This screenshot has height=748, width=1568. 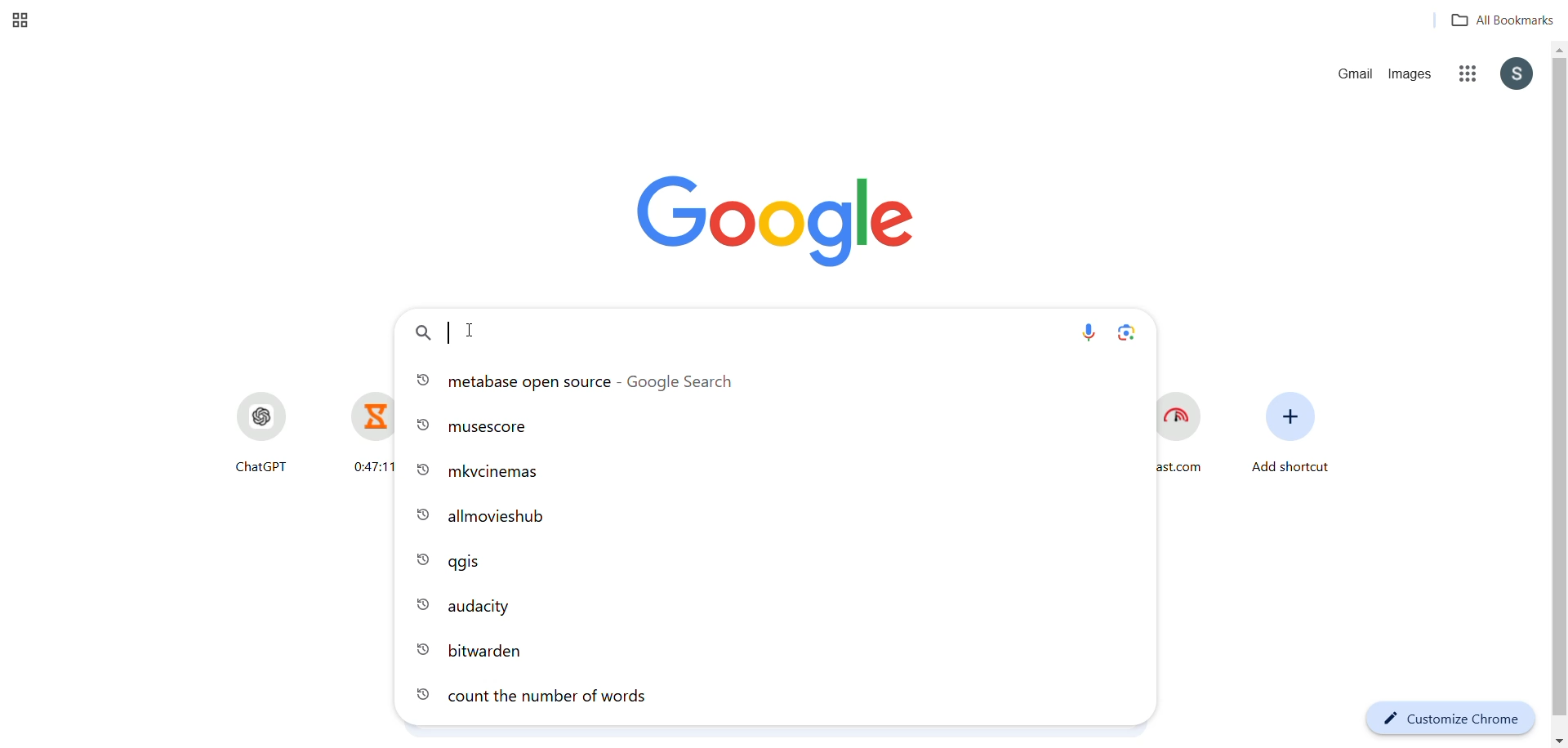 I want to click on New tab group, so click(x=24, y=21).